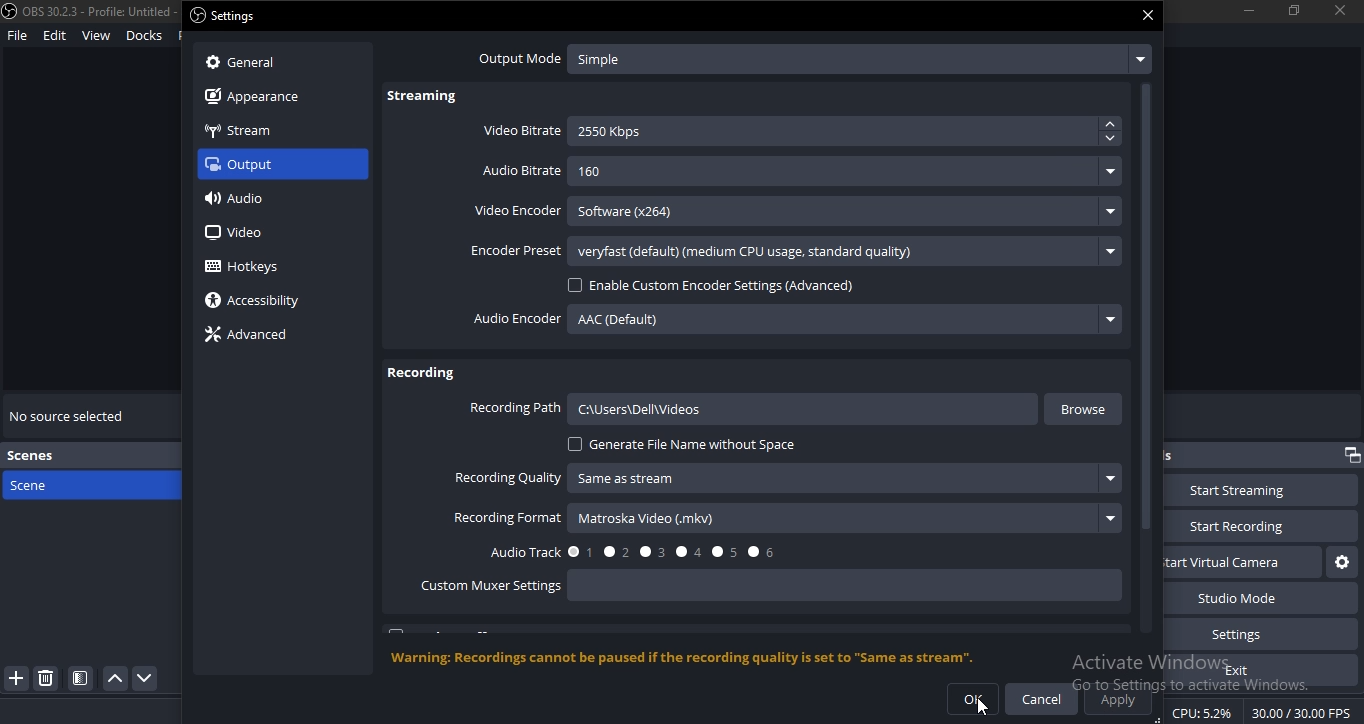 Image resolution: width=1364 pixels, height=724 pixels. I want to click on audio track, so click(640, 552).